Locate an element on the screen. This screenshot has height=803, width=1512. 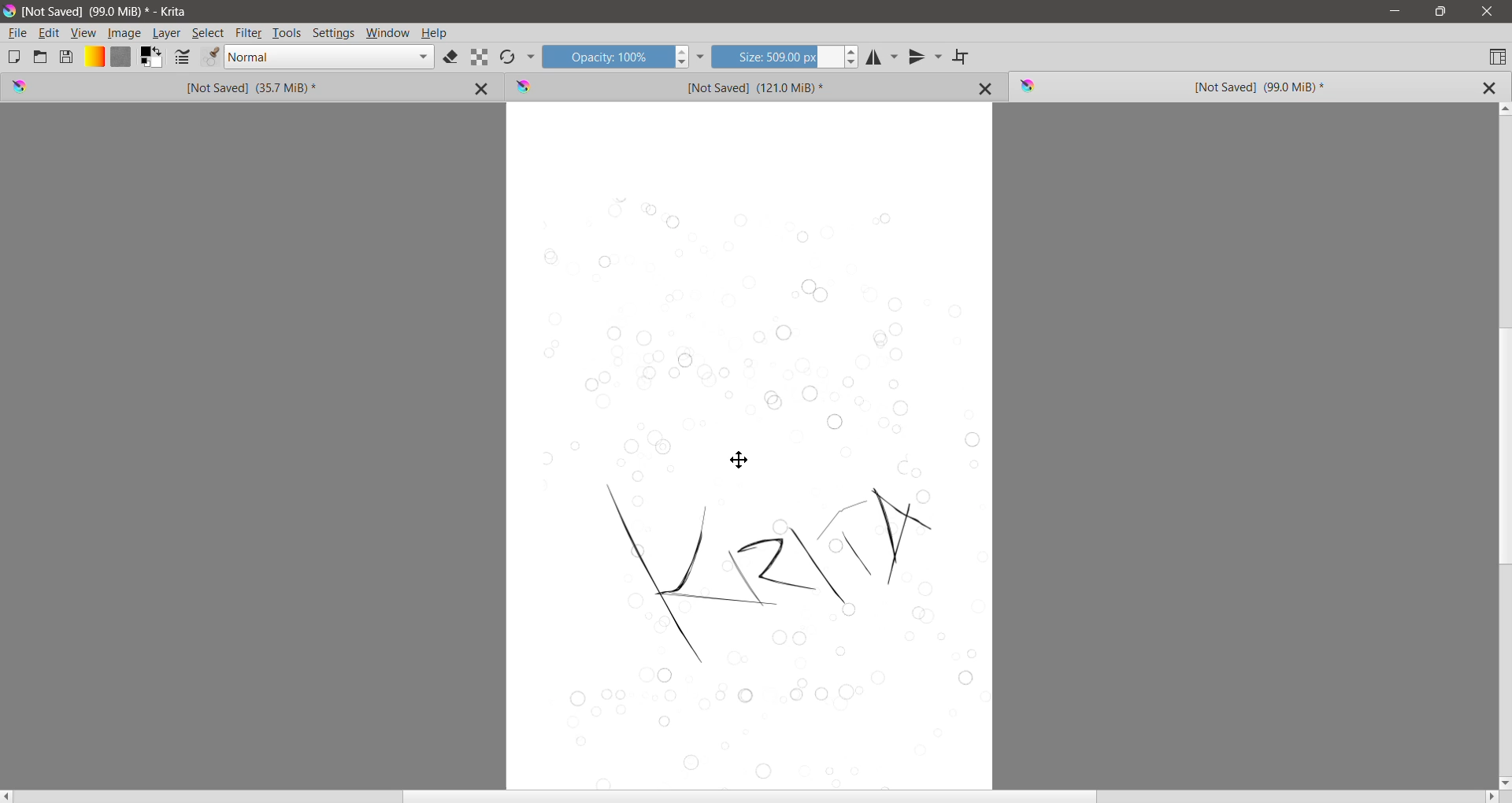
Wrap Around Mode is located at coordinates (962, 57).